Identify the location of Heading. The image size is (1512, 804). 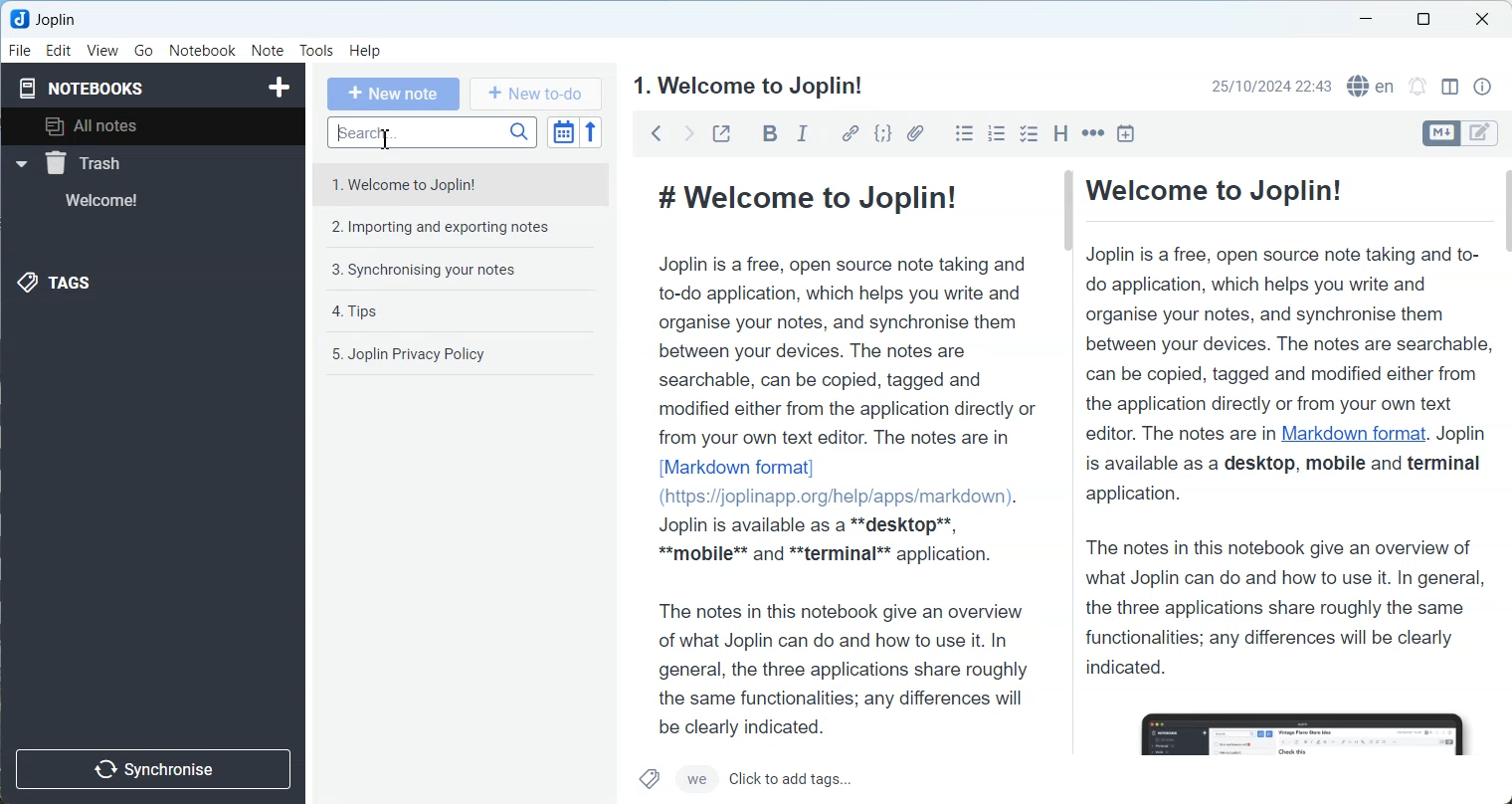
(1060, 132).